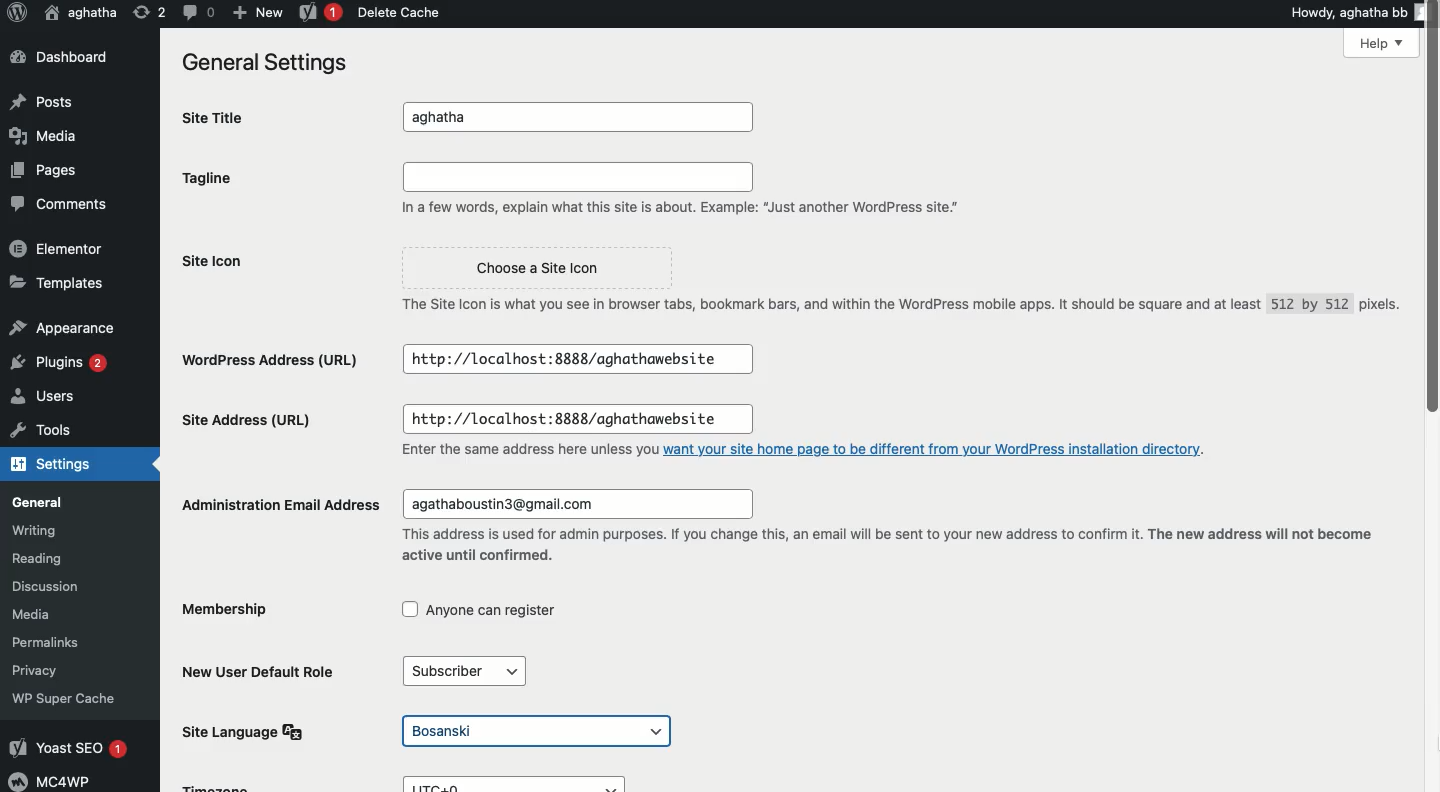 The image size is (1440, 792). What do you see at coordinates (480, 613) in the screenshot?
I see `Anyone can register` at bounding box center [480, 613].